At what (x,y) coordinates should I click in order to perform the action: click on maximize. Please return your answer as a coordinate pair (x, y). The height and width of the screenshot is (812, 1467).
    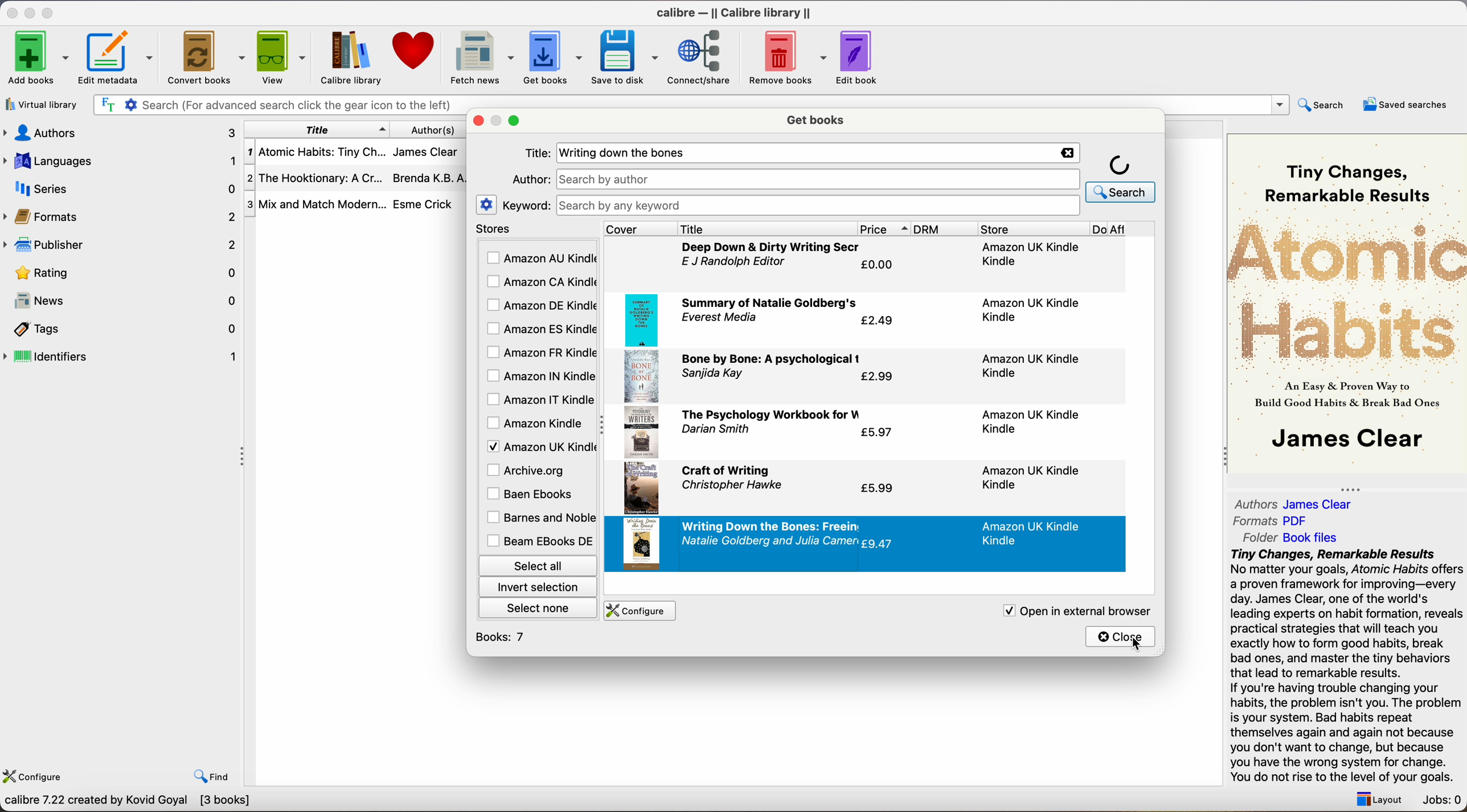
    Looking at the image, I should click on (516, 121).